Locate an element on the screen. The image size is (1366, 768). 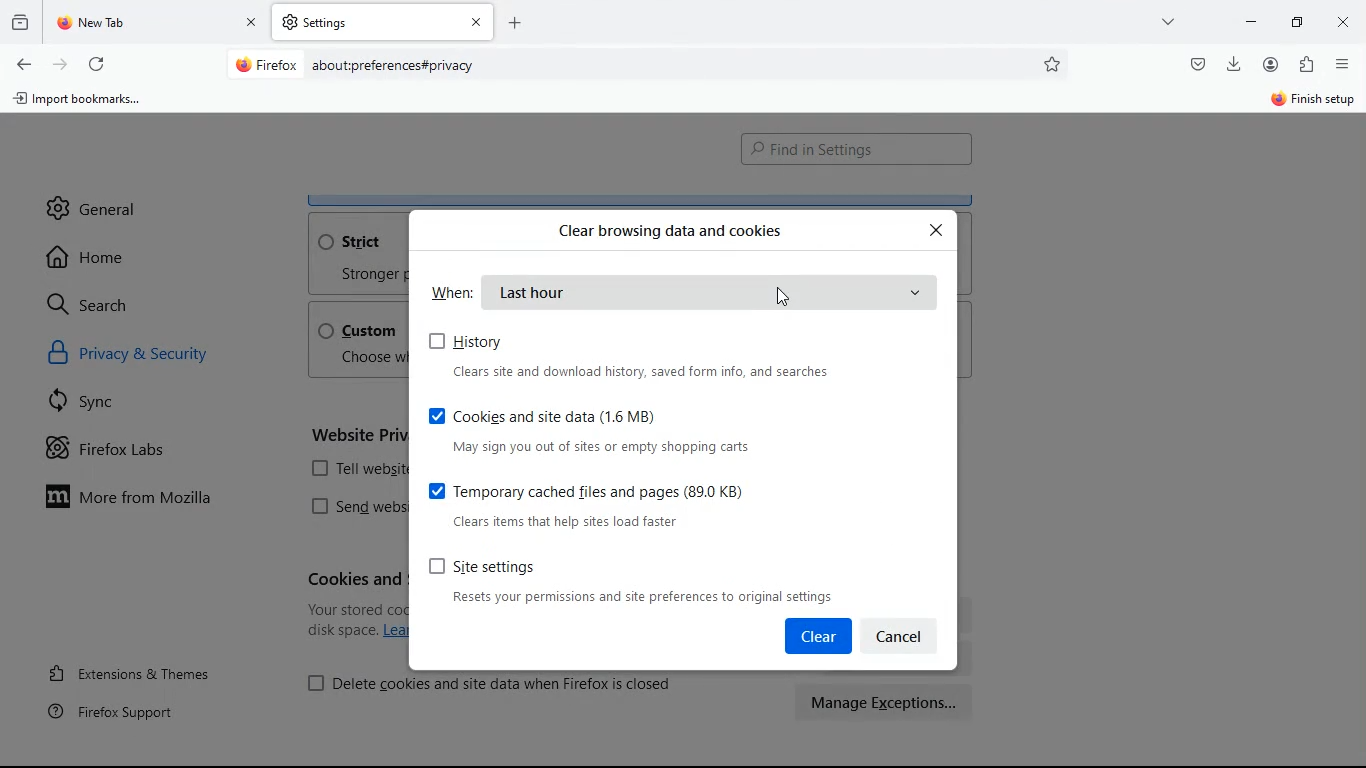
history is located at coordinates (646, 356).